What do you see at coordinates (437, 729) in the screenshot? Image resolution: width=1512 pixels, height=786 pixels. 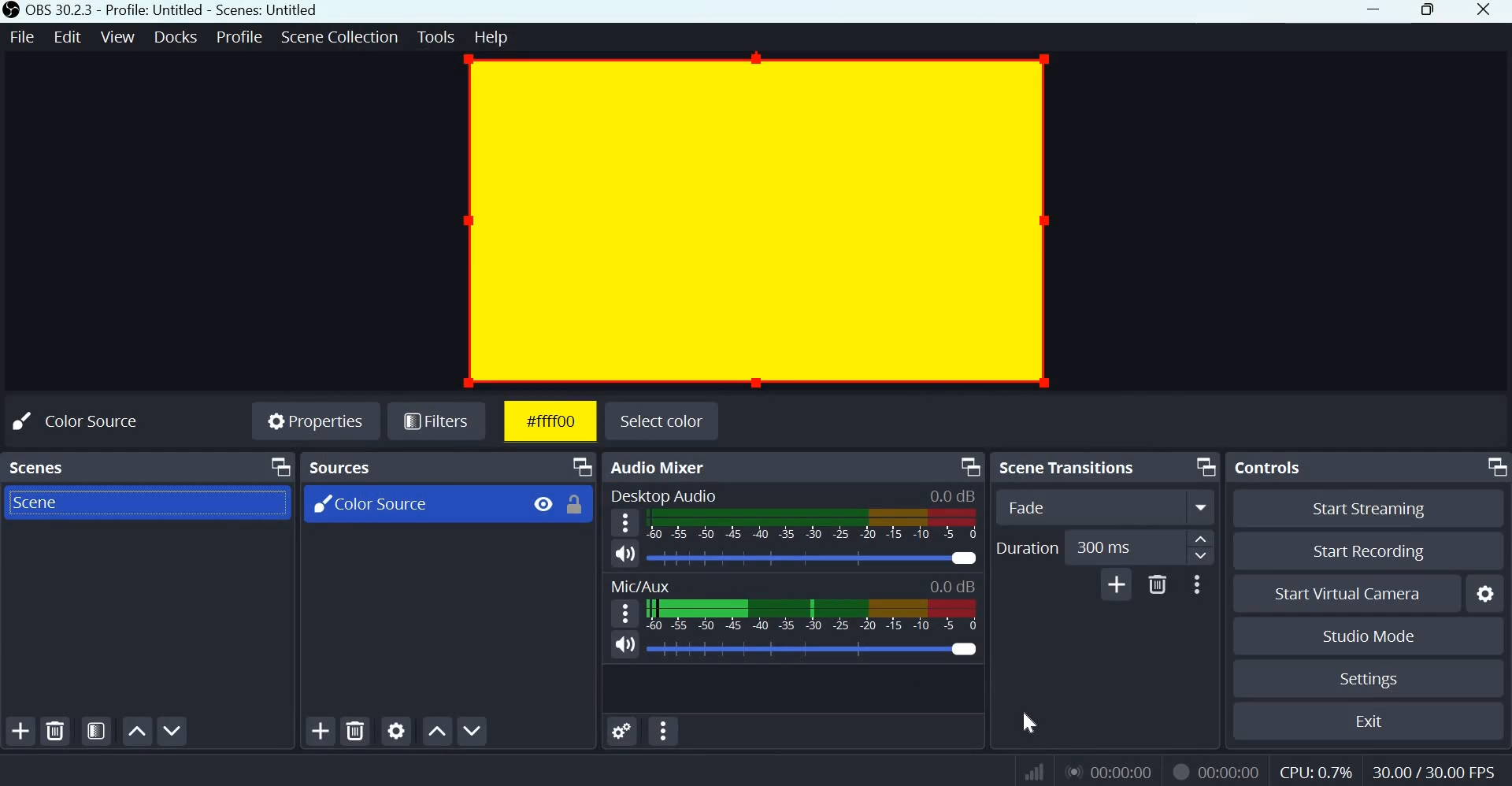 I see `Move source(s) up` at bounding box center [437, 729].